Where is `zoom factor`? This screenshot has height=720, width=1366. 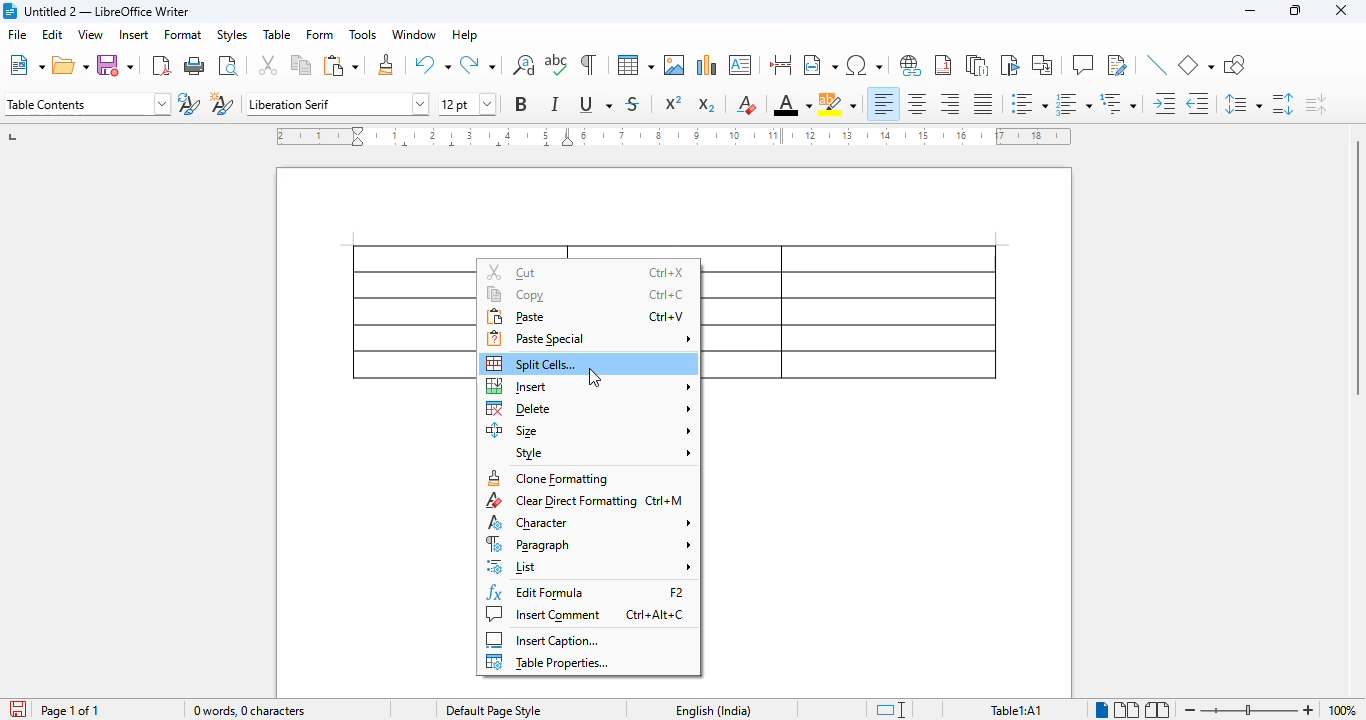
zoom factor is located at coordinates (1341, 710).